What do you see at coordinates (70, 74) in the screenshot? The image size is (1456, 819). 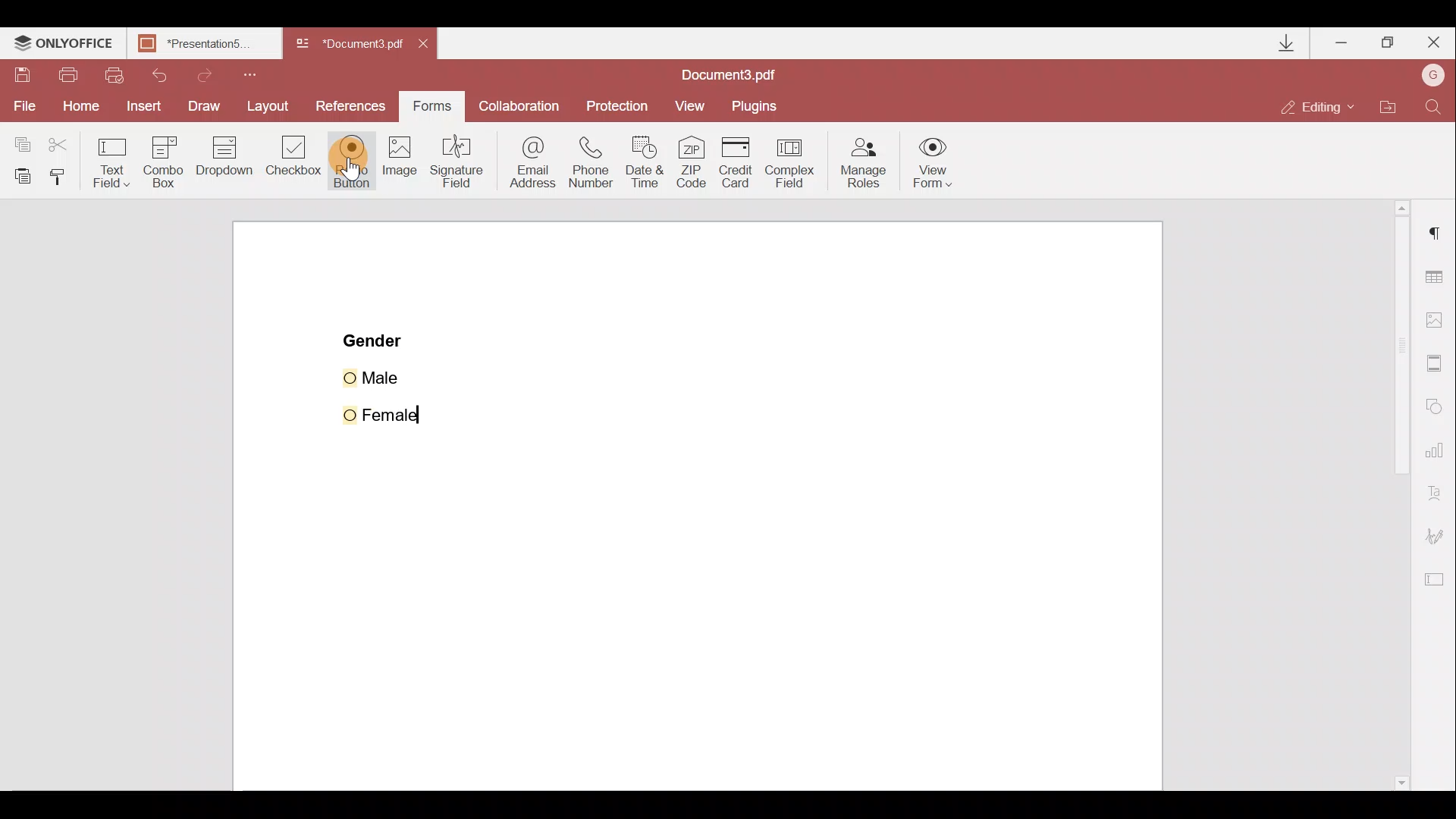 I see `Print file` at bounding box center [70, 74].